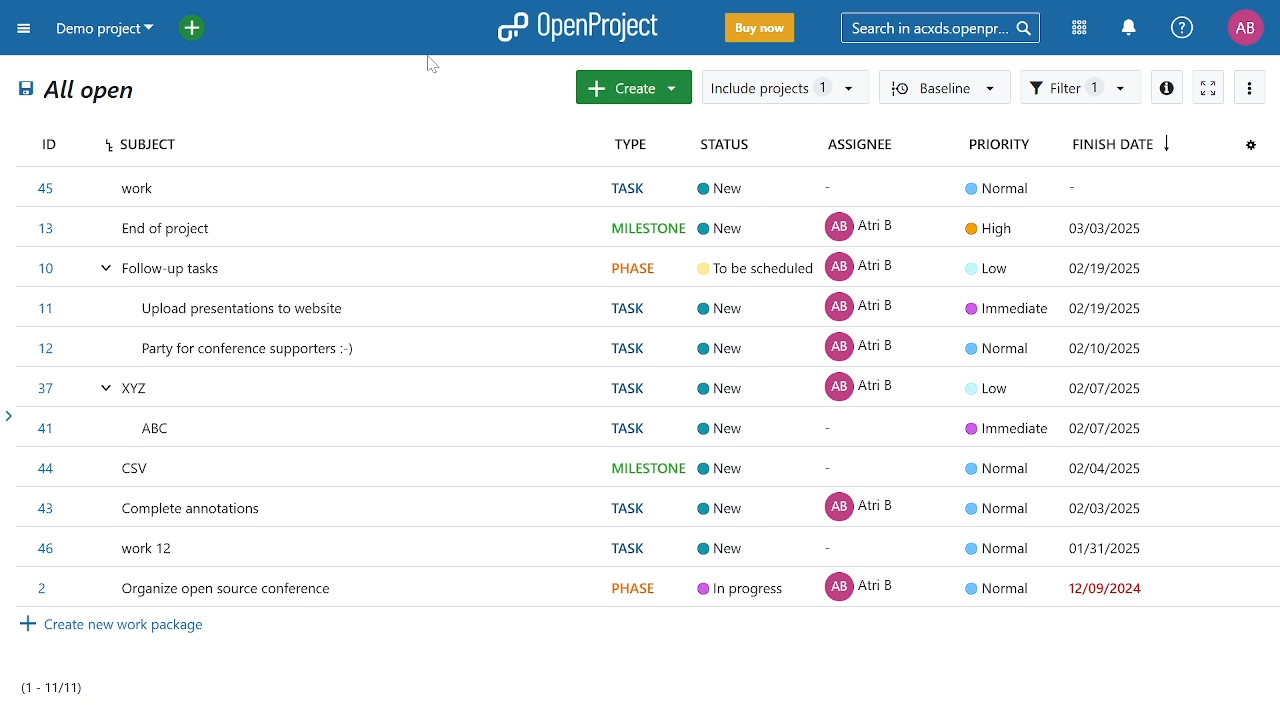  I want to click on task titled "Organize open source conference ", so click(646, 187).